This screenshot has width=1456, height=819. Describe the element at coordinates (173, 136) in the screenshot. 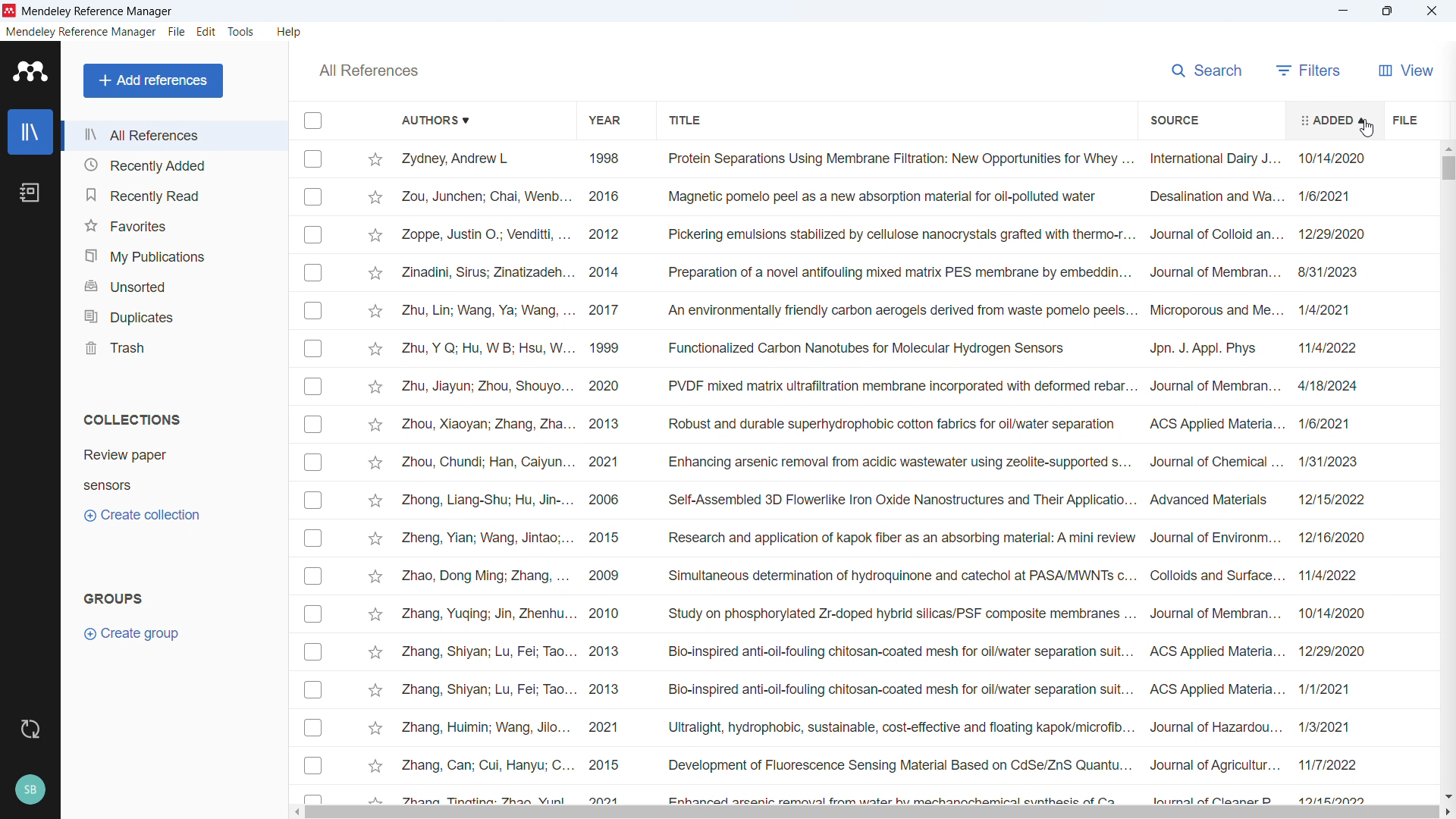

I see `All references ` at that location.